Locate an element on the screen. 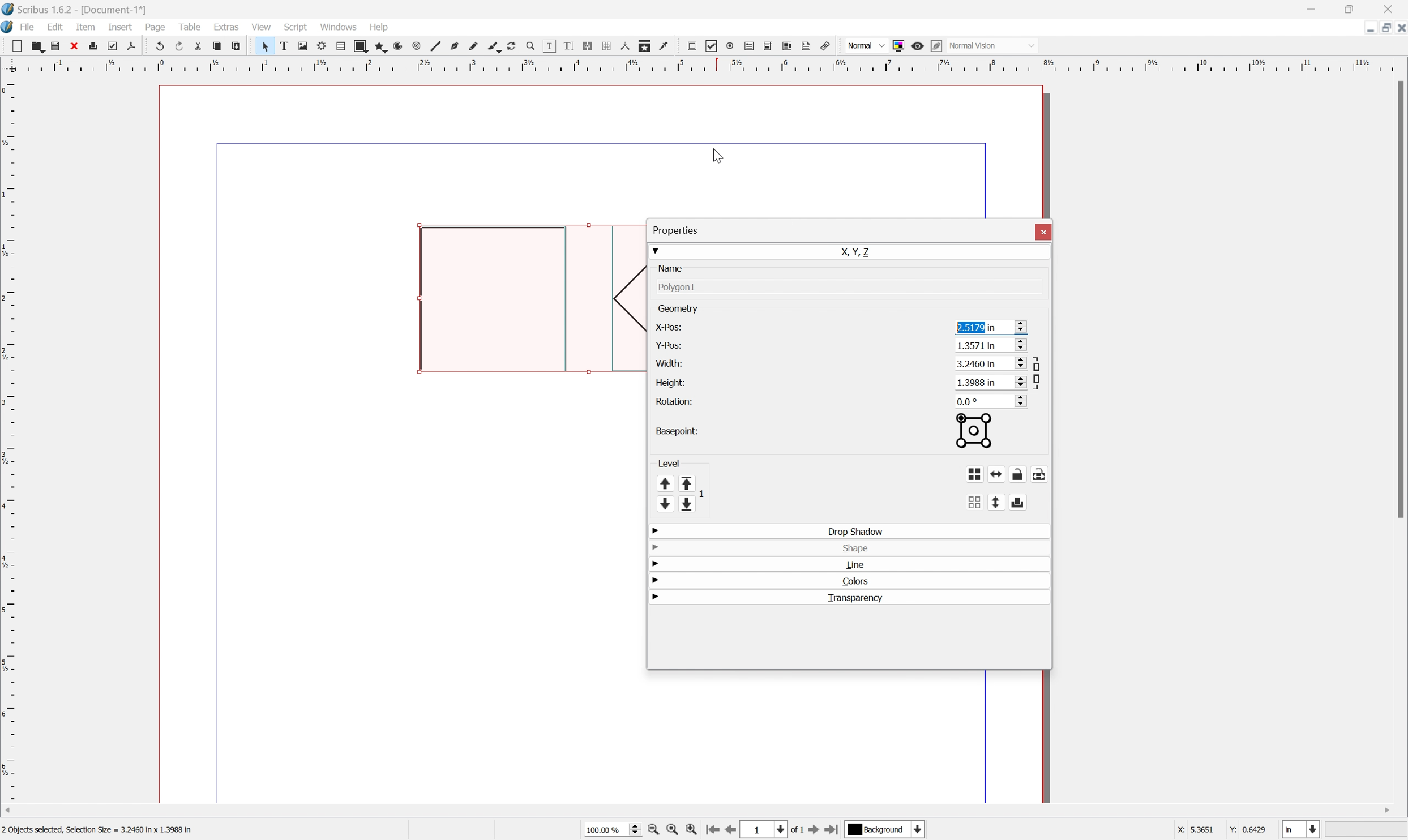  application logo is located at coordinates (9, 26).